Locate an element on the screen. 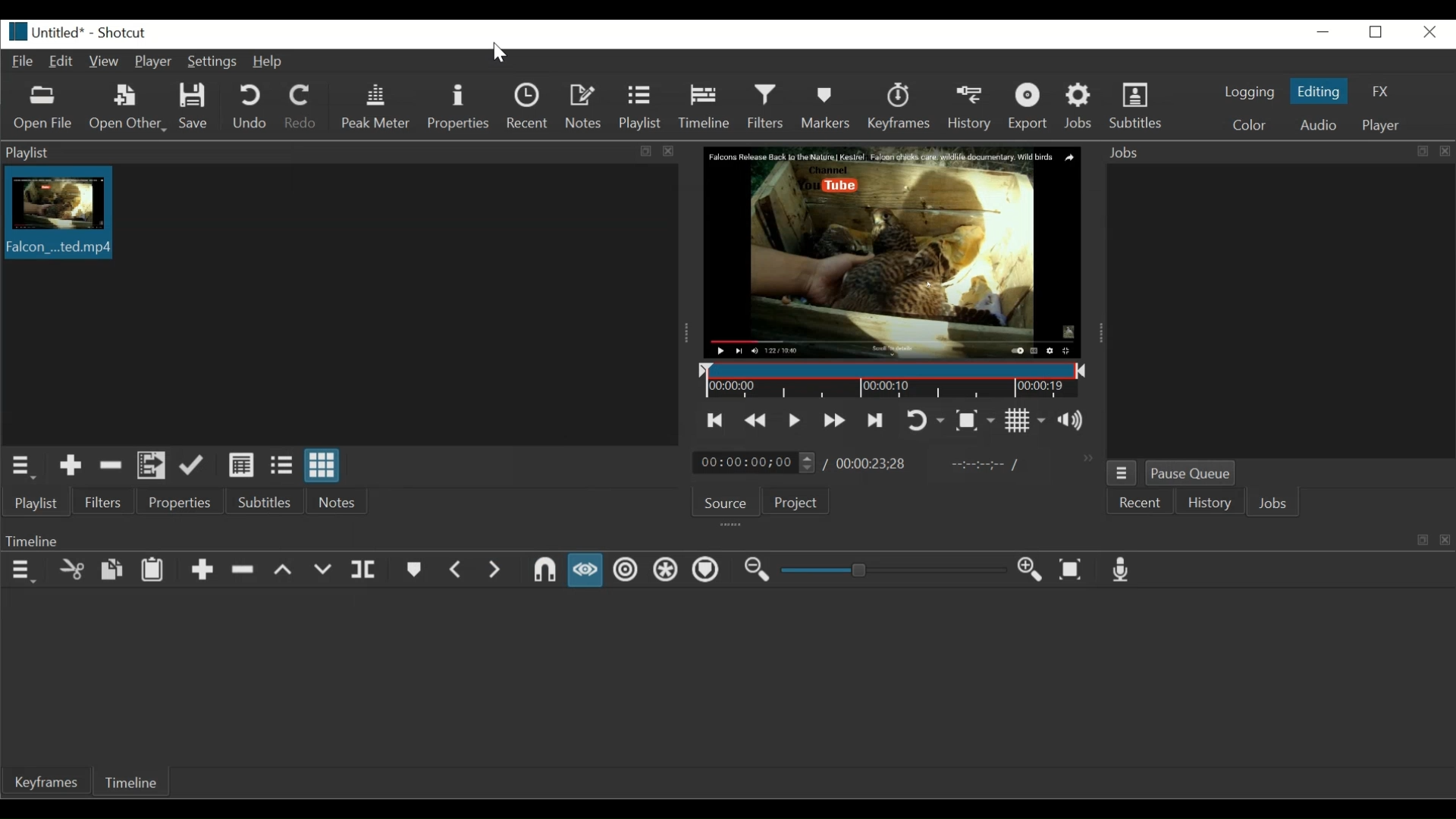 The image size is (1456, 819). Next marker is located at coordinates (498, 572).